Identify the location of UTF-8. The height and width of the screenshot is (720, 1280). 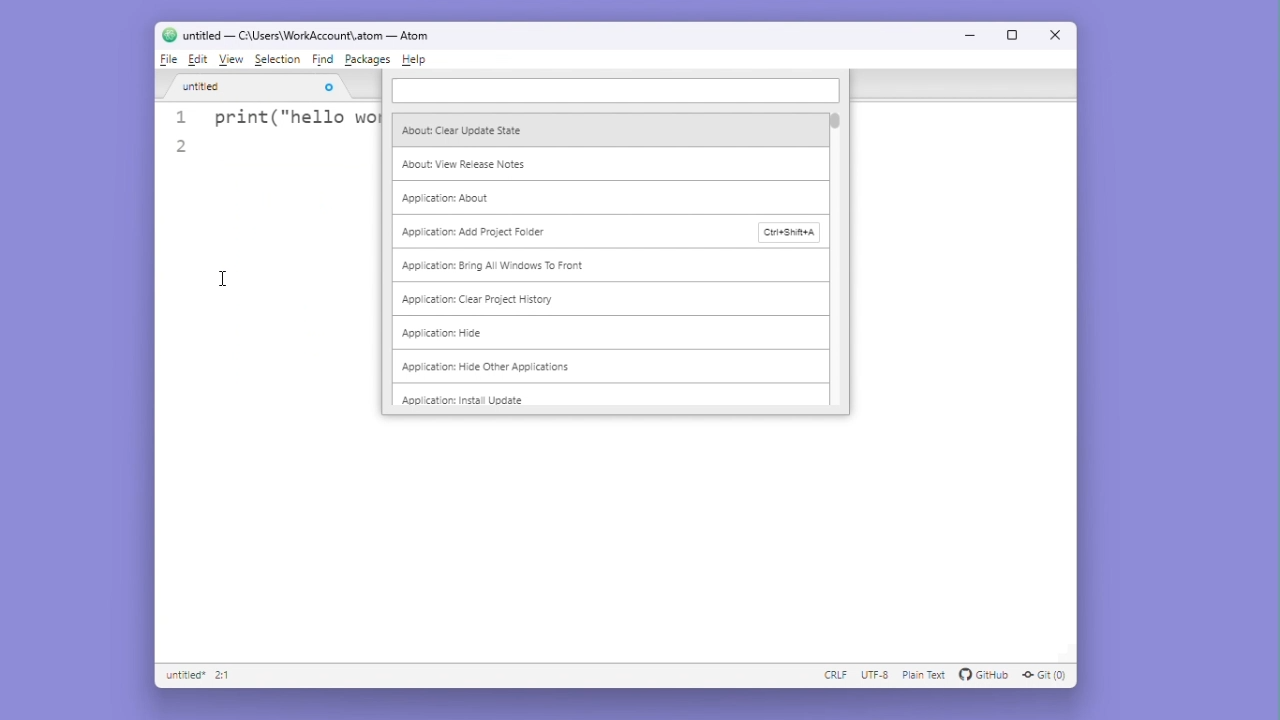
(875, 676).